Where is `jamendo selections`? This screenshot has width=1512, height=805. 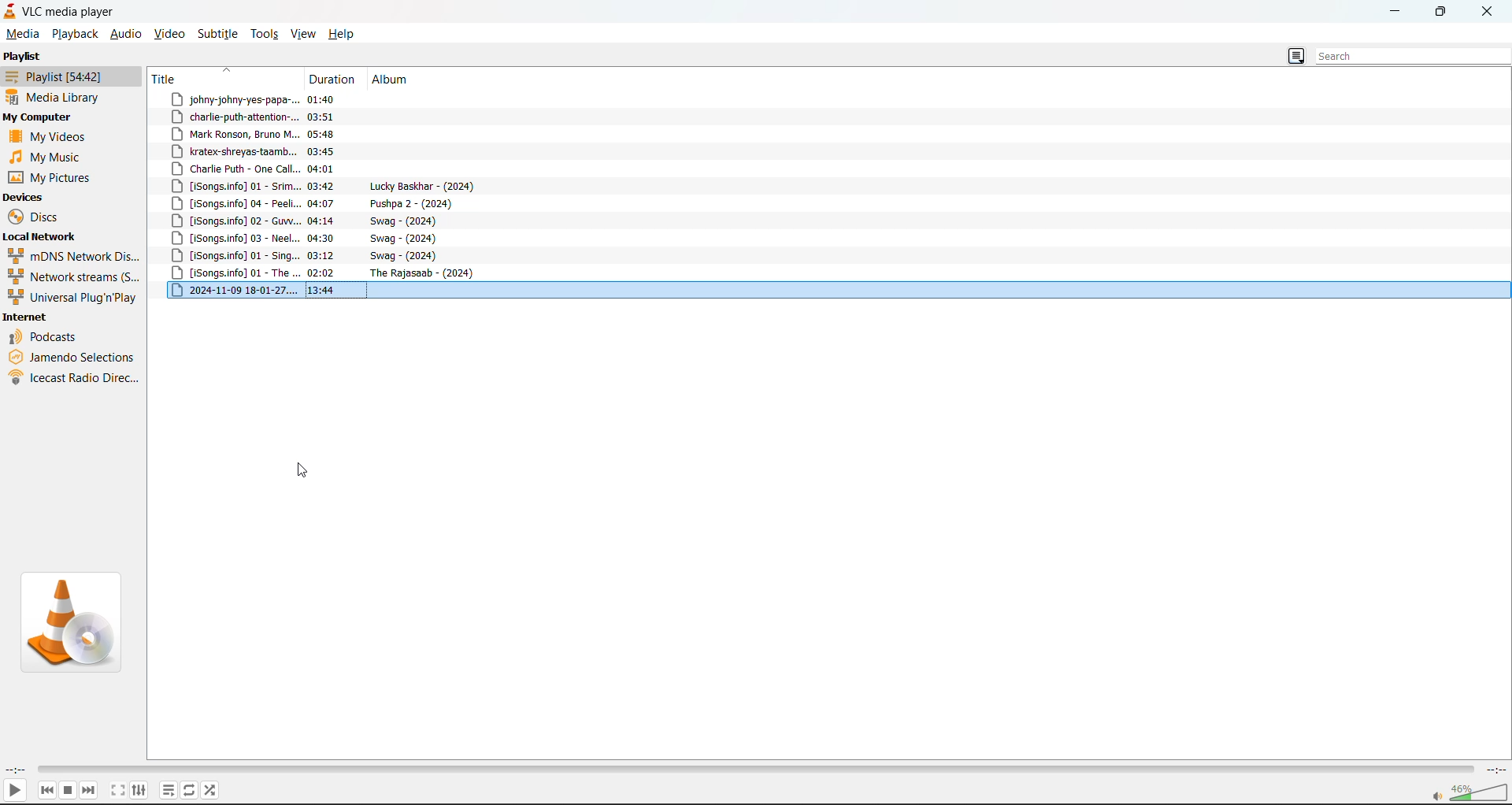 jamendo selections is located at coordinates (73, 359).